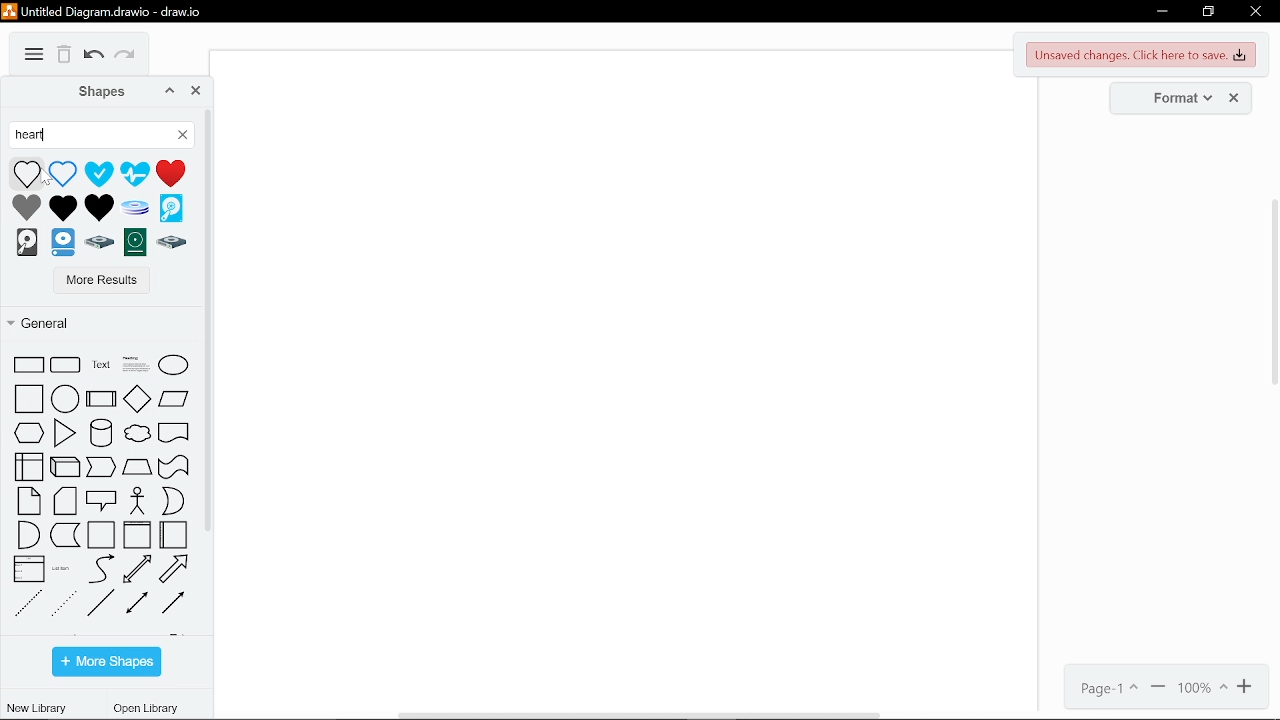  What do you see at coordinates (142, 499) in the screenshot?
I see `actor` at bounding box center [142, 499].